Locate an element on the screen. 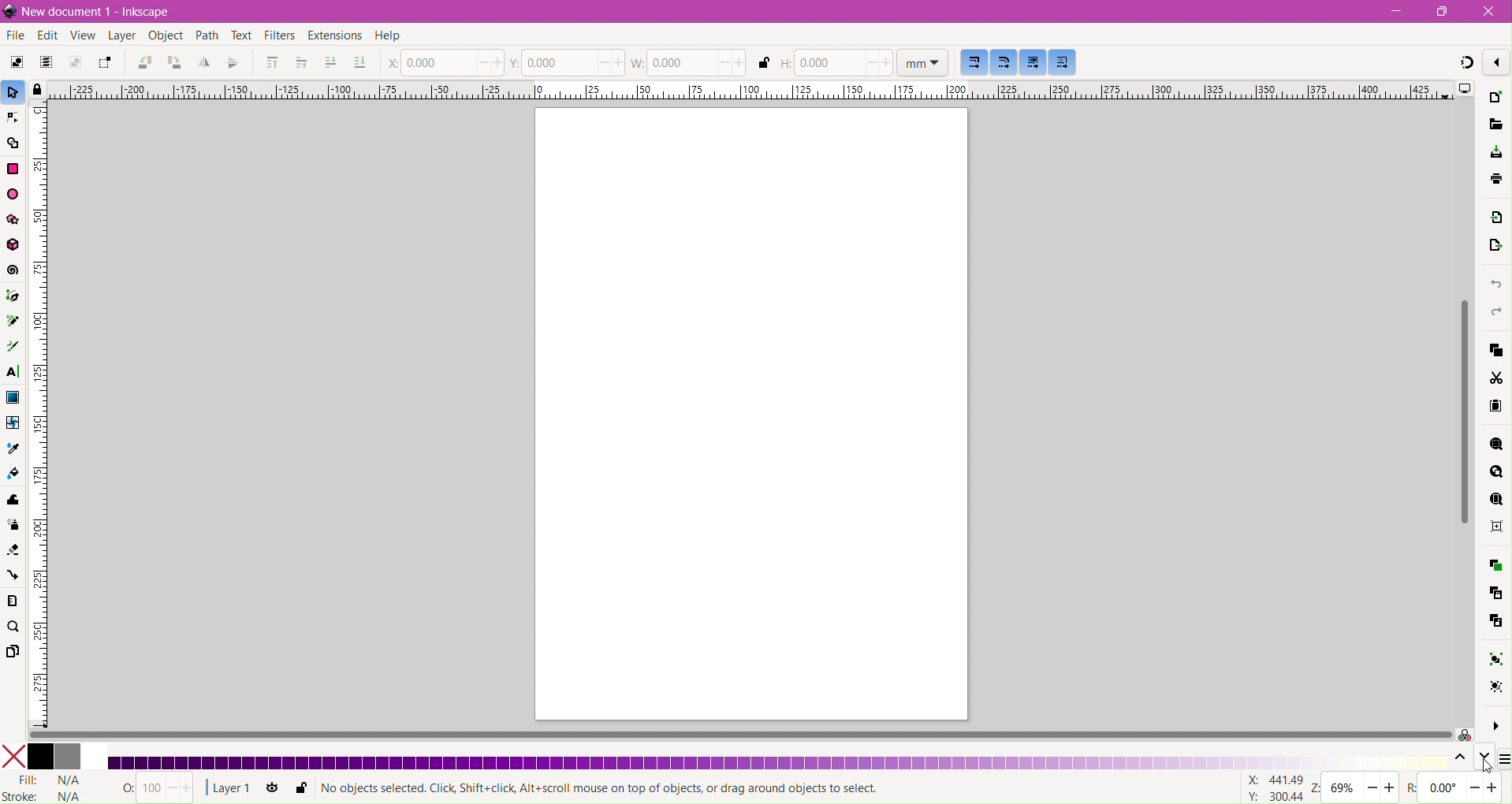 This screenshot has width=1512, height=804. Shape Builder Tool is located at coordinates (13, 144).